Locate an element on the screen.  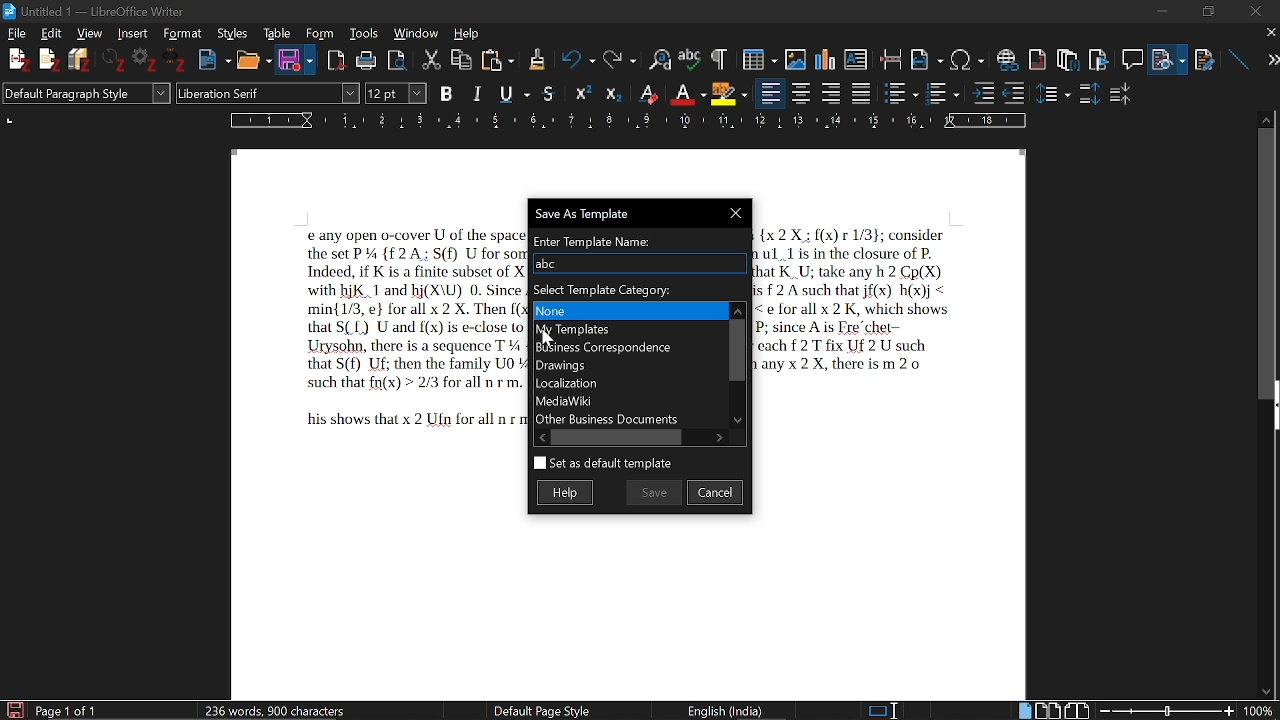
character highlighting option is located at coordinates (728, 92).